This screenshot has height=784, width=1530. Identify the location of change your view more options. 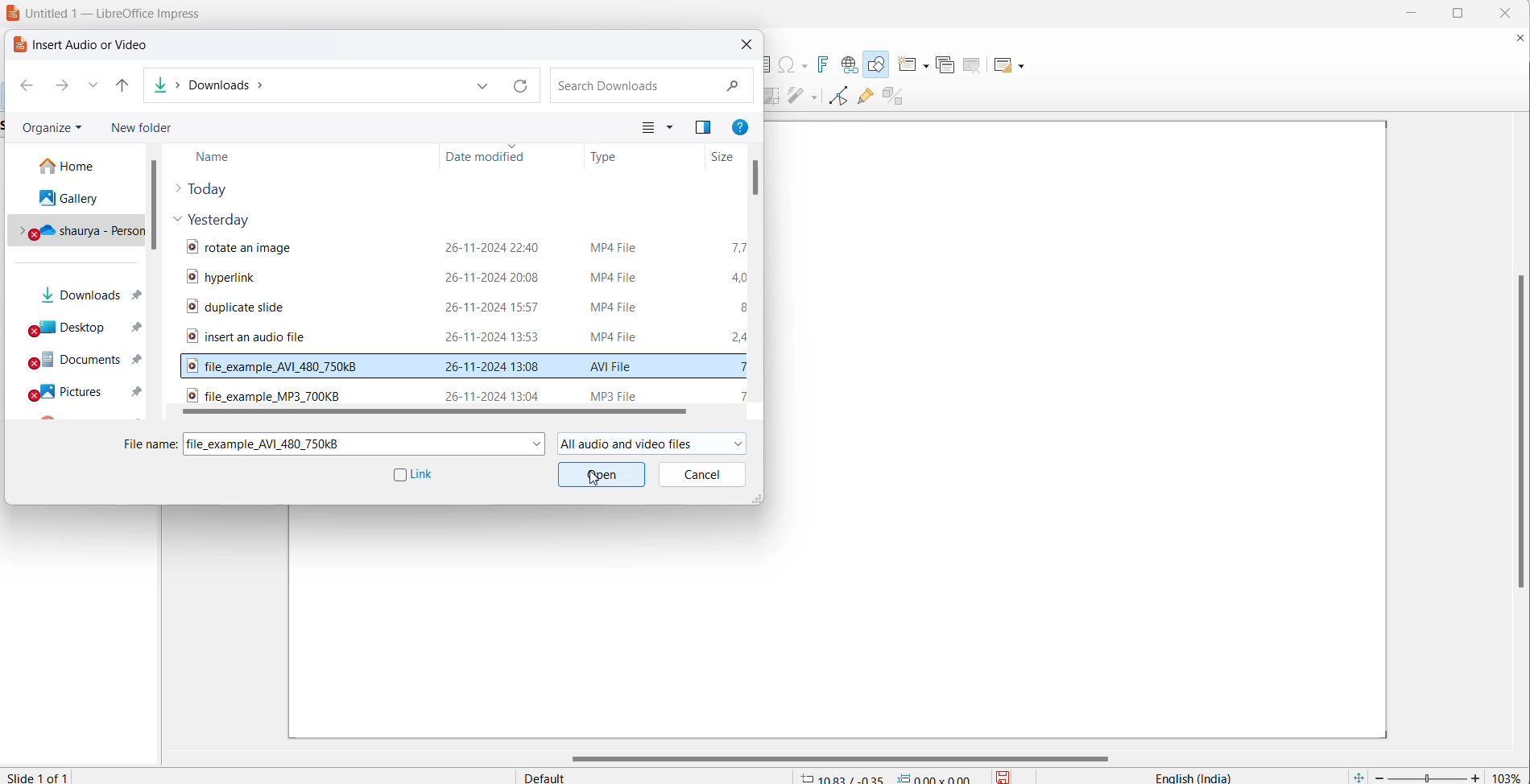
(670, 129).